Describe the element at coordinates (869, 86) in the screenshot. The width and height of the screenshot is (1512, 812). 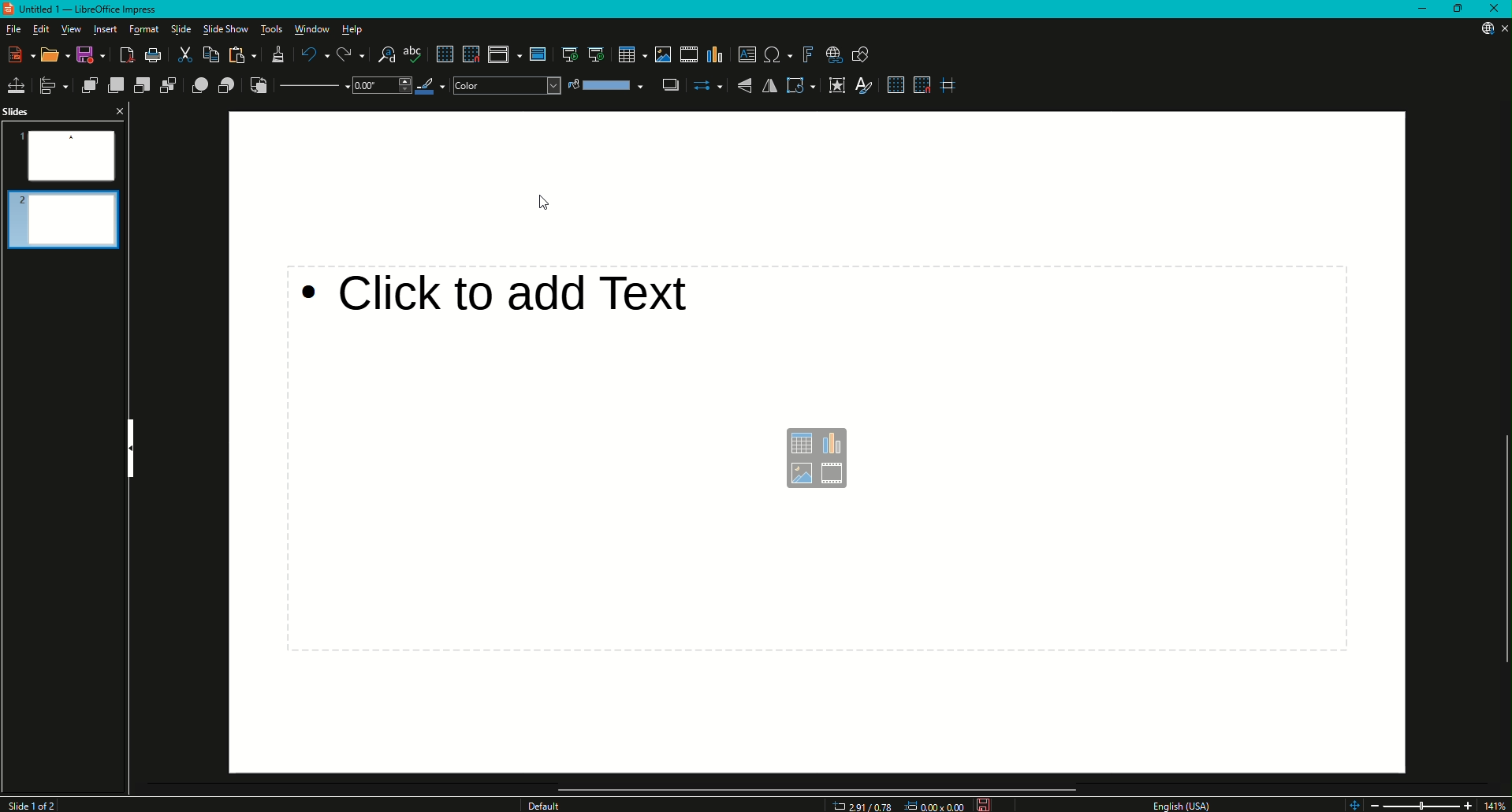
I see `Show Styles Sidebar` at that location.